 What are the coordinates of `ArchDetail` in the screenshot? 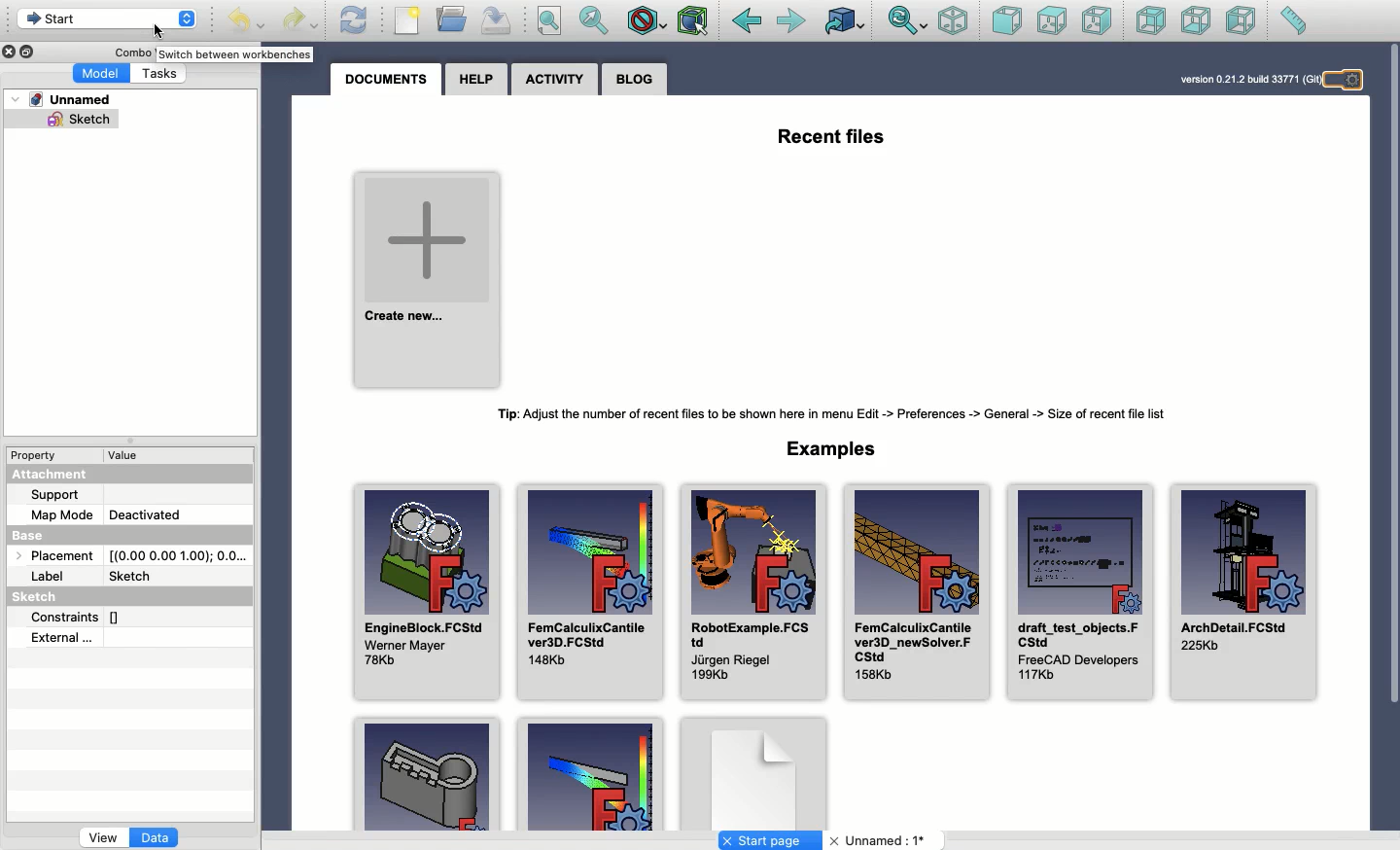 It's located at (1246, 593).